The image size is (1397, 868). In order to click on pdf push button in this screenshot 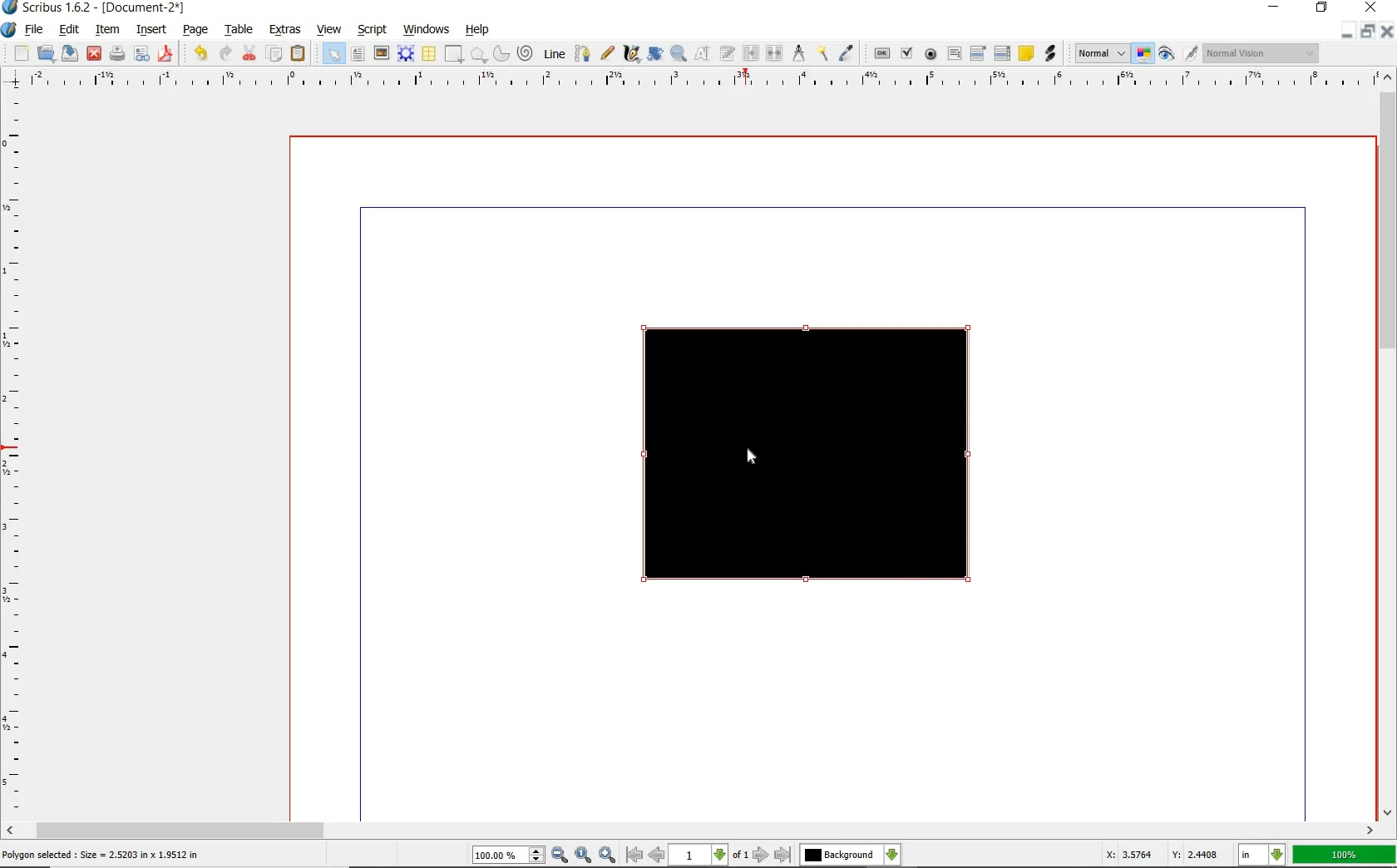, I will do `click(880, 55)`.